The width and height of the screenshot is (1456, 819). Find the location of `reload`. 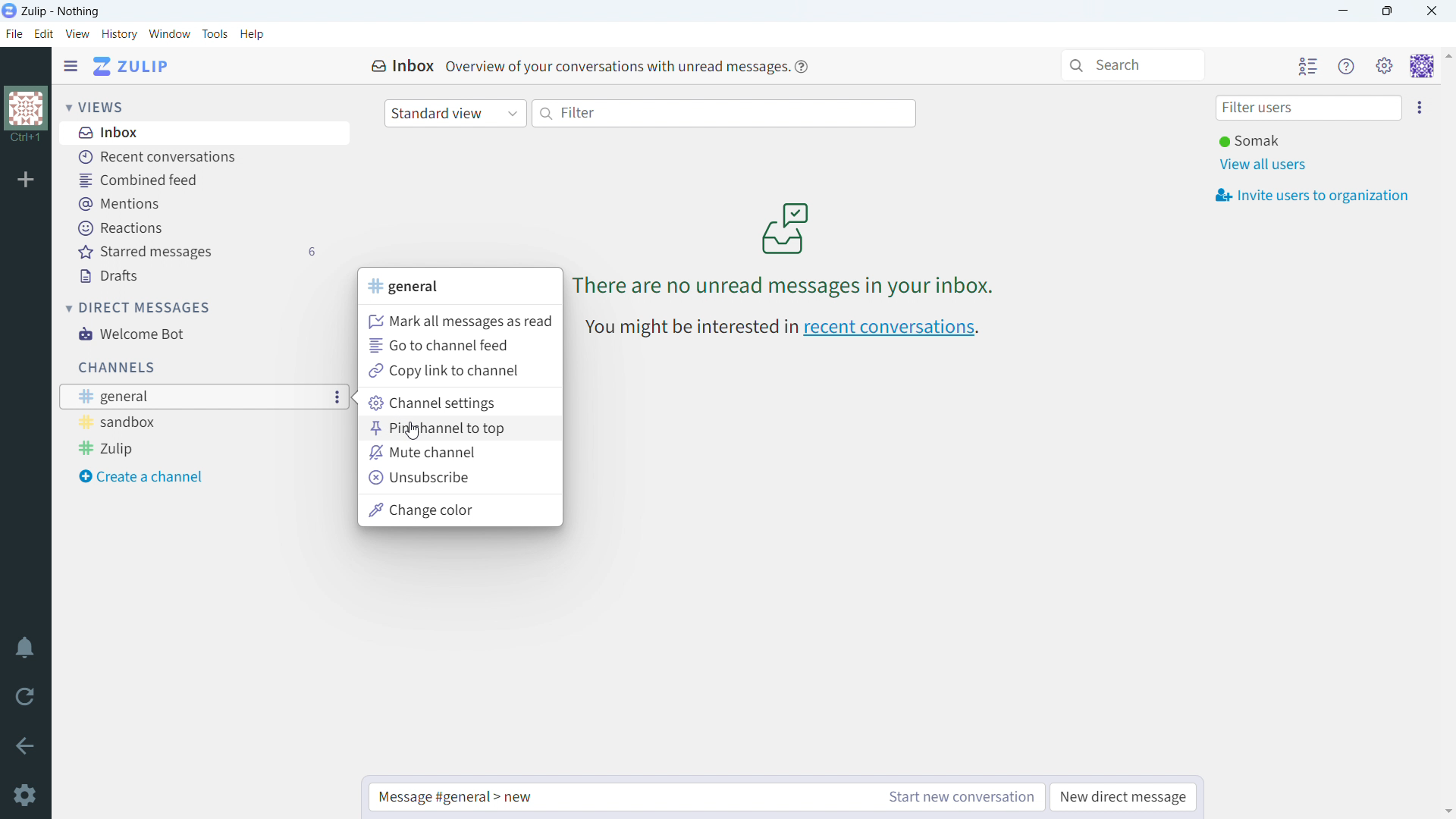

reload is located at coordinates (25, 695).